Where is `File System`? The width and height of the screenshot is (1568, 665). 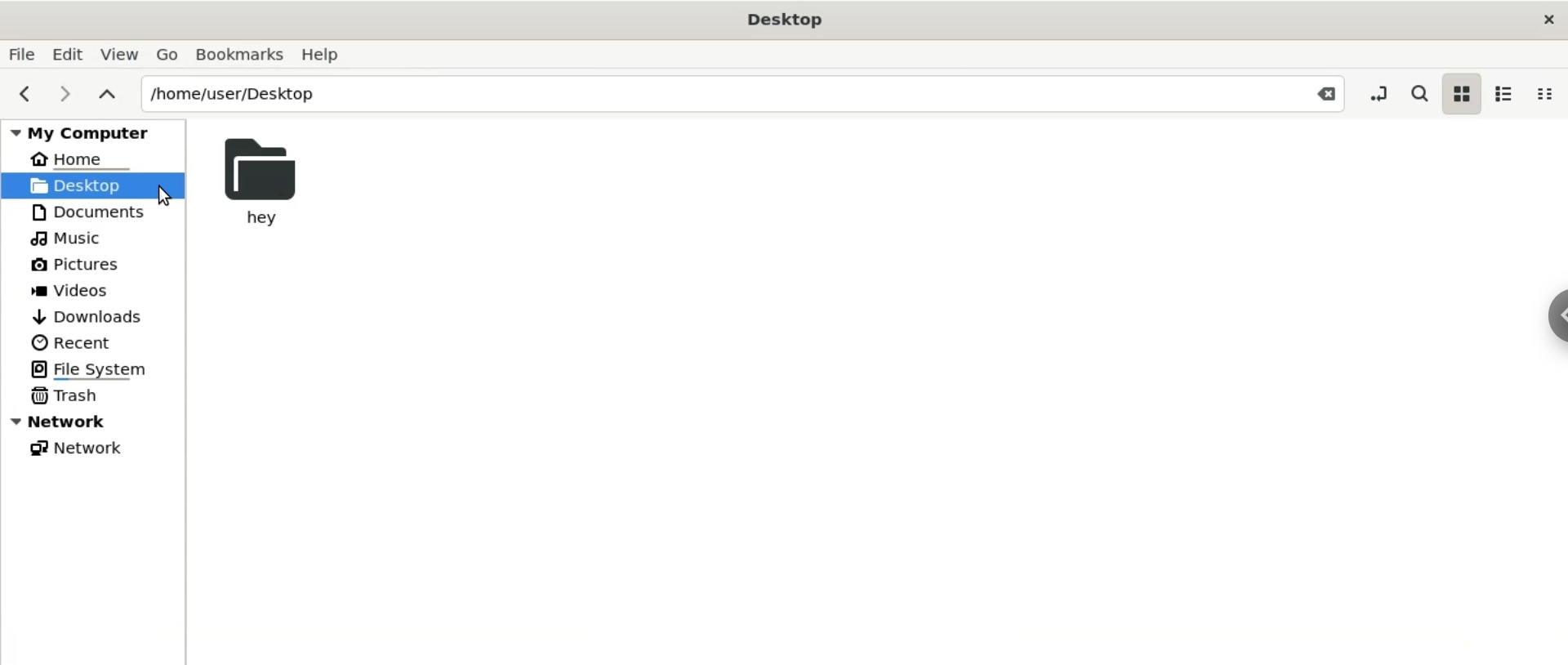
File System is located at coordinates (101, 371).